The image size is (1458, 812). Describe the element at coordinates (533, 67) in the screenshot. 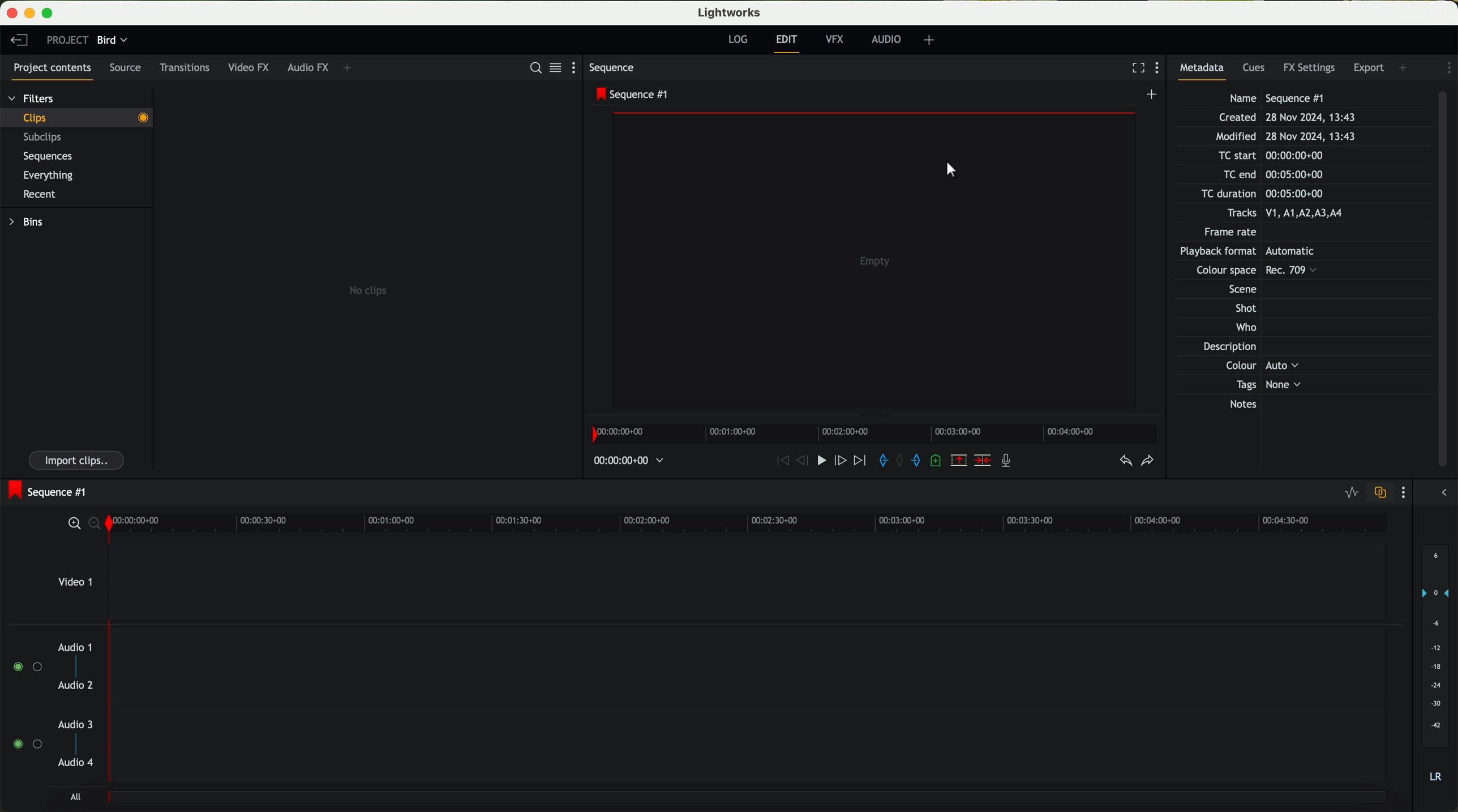

I see `search for assets or bins` at that location.